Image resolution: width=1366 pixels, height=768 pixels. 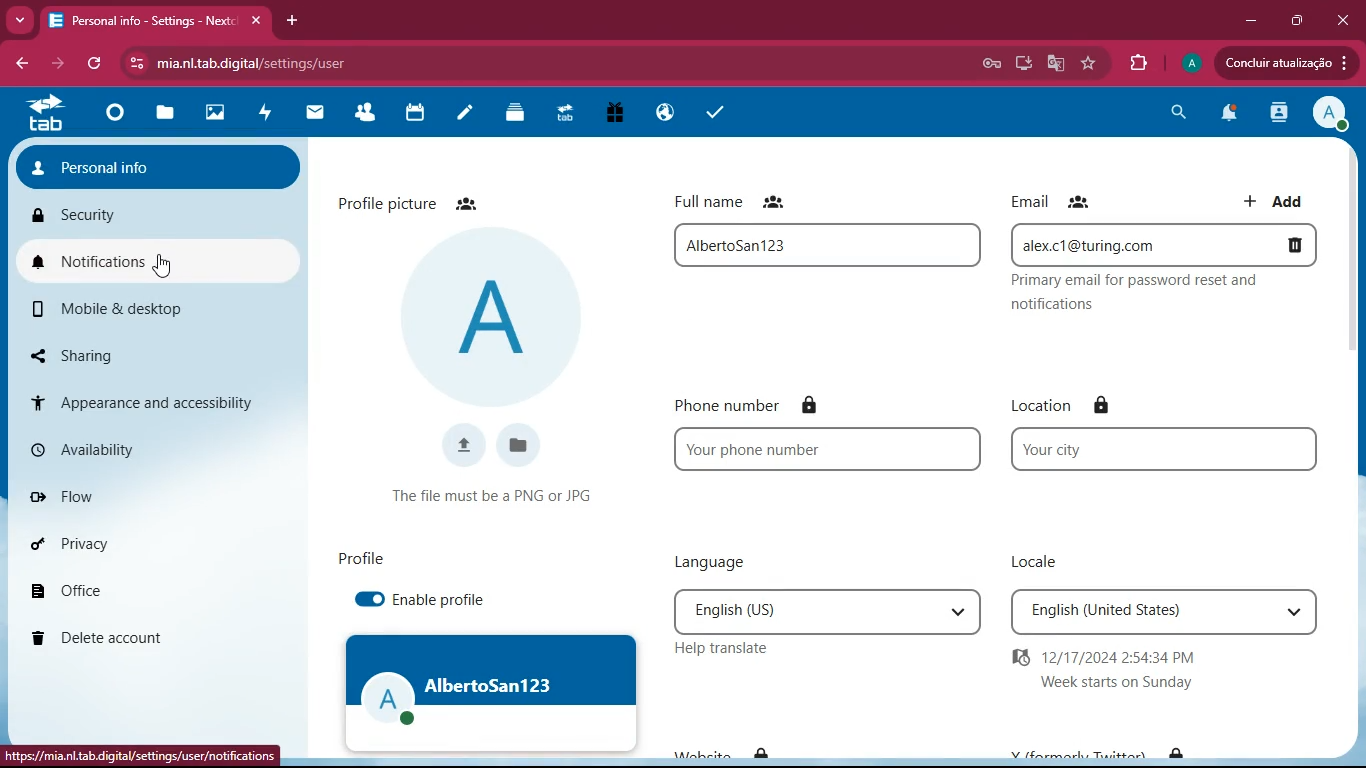 What do you see at coordinates (1177, 116) in the screenshot?
I see `search` at bounding box center [1177, 116].